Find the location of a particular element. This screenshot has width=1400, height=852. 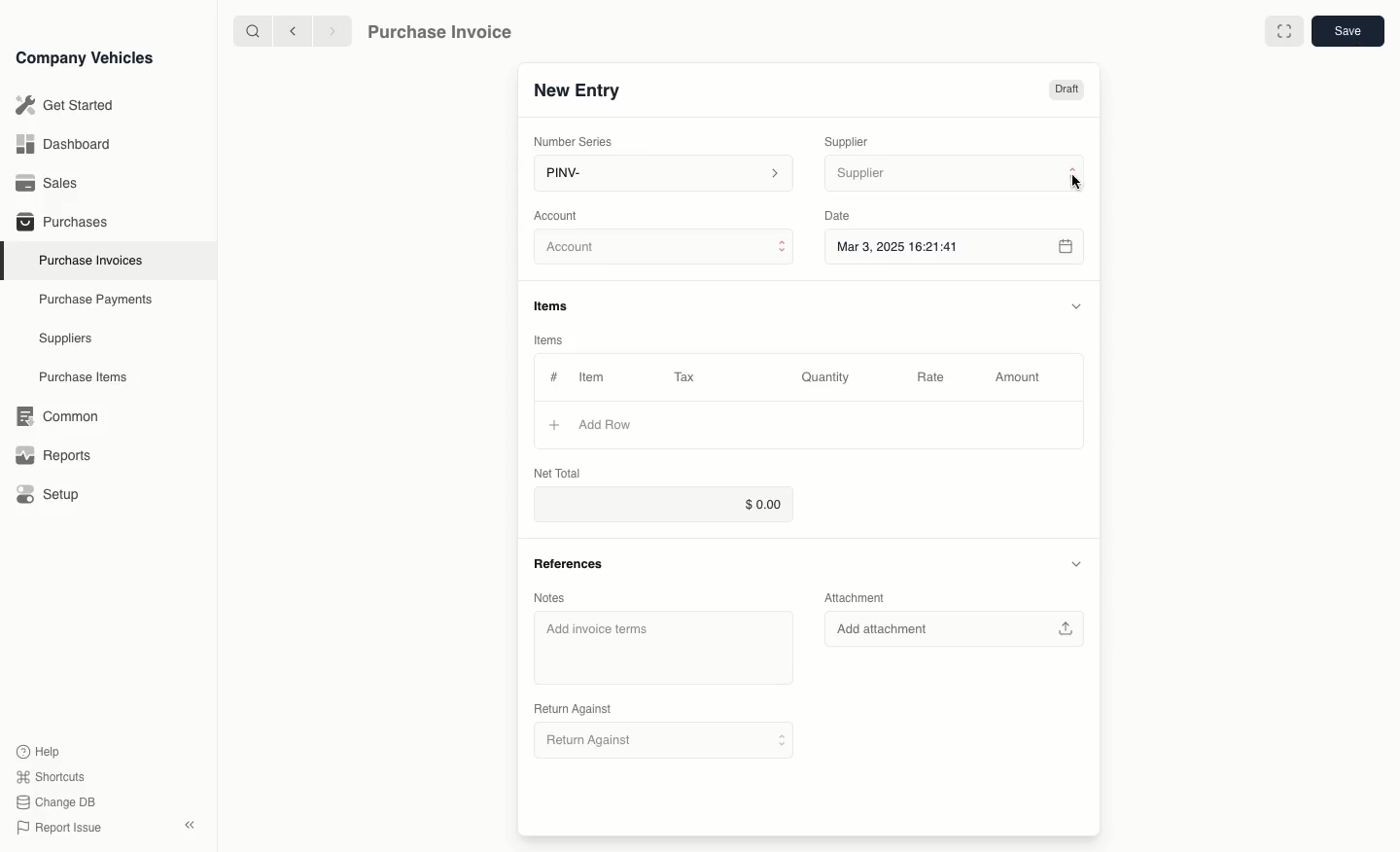

Purchase Invoices is located at coordinates (87, 260).